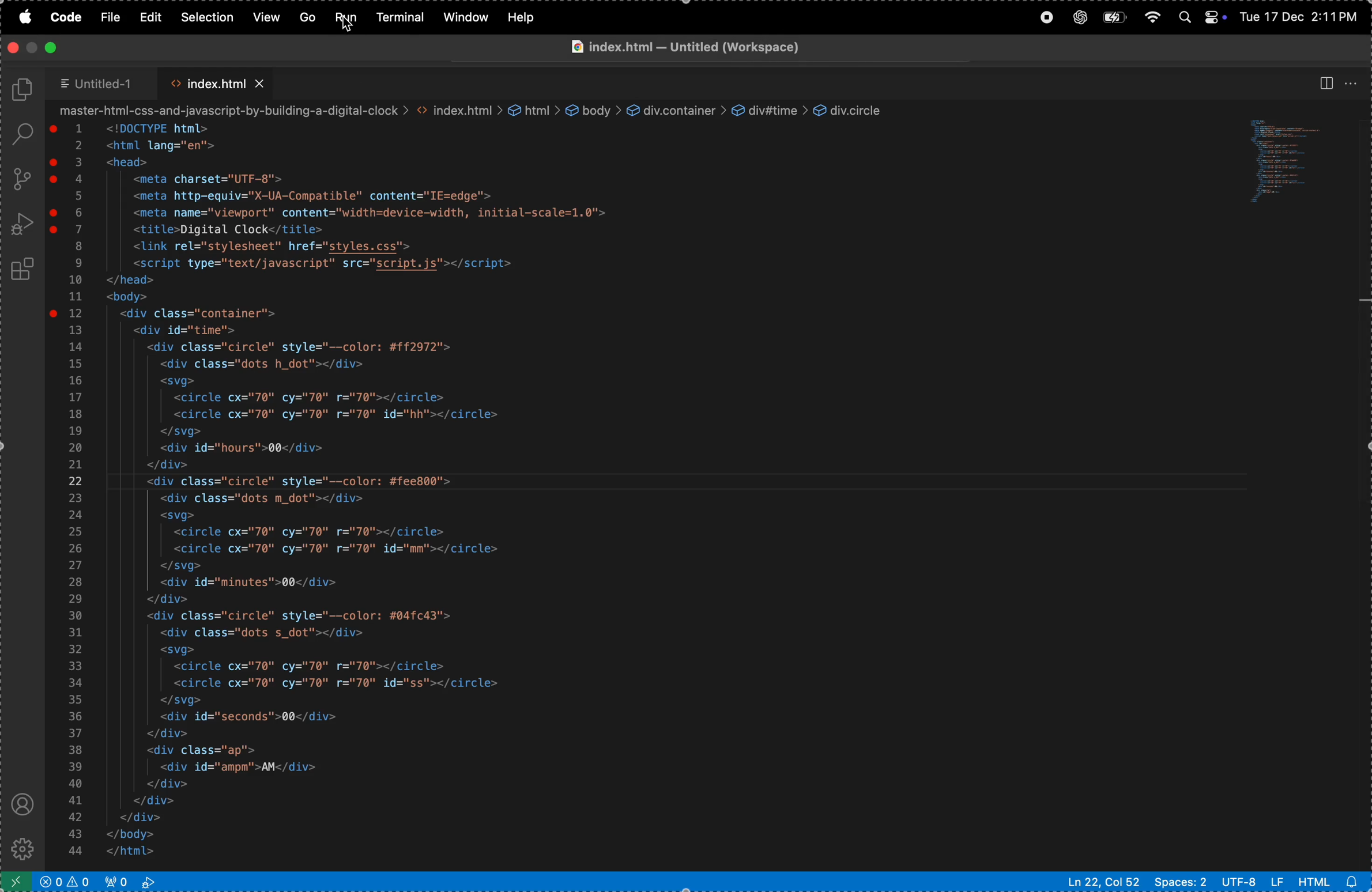 This screenshot has width=1372, height=892. What do you see at coordinates (346, 17) in the screenshot?
I see `run` at bounding box center [346, 17].